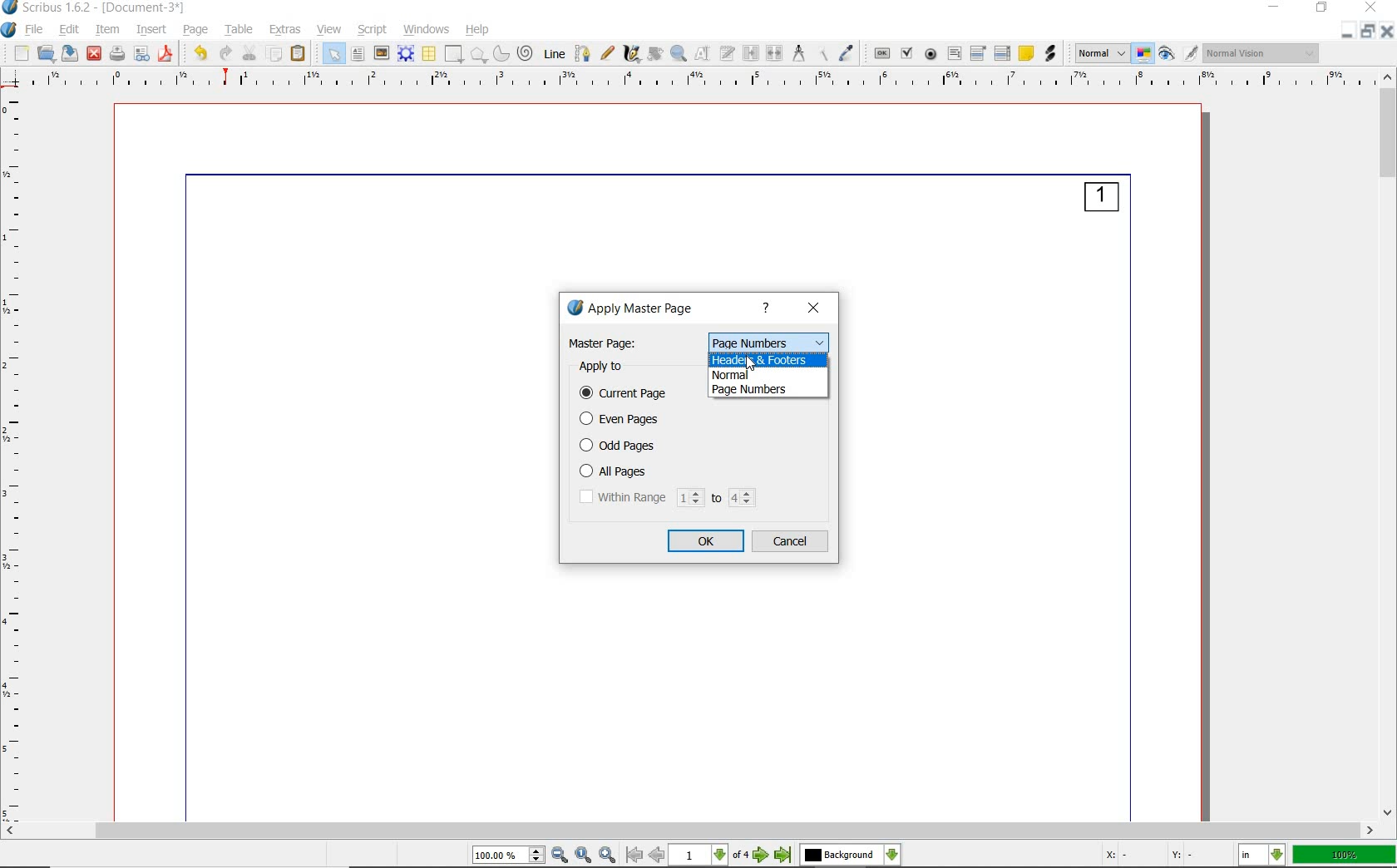 The width and height of the screenshot is (1397, 868). Describe the element at coordinates (772, 359) in the screenshot. I see `Header & Footers` at that location.